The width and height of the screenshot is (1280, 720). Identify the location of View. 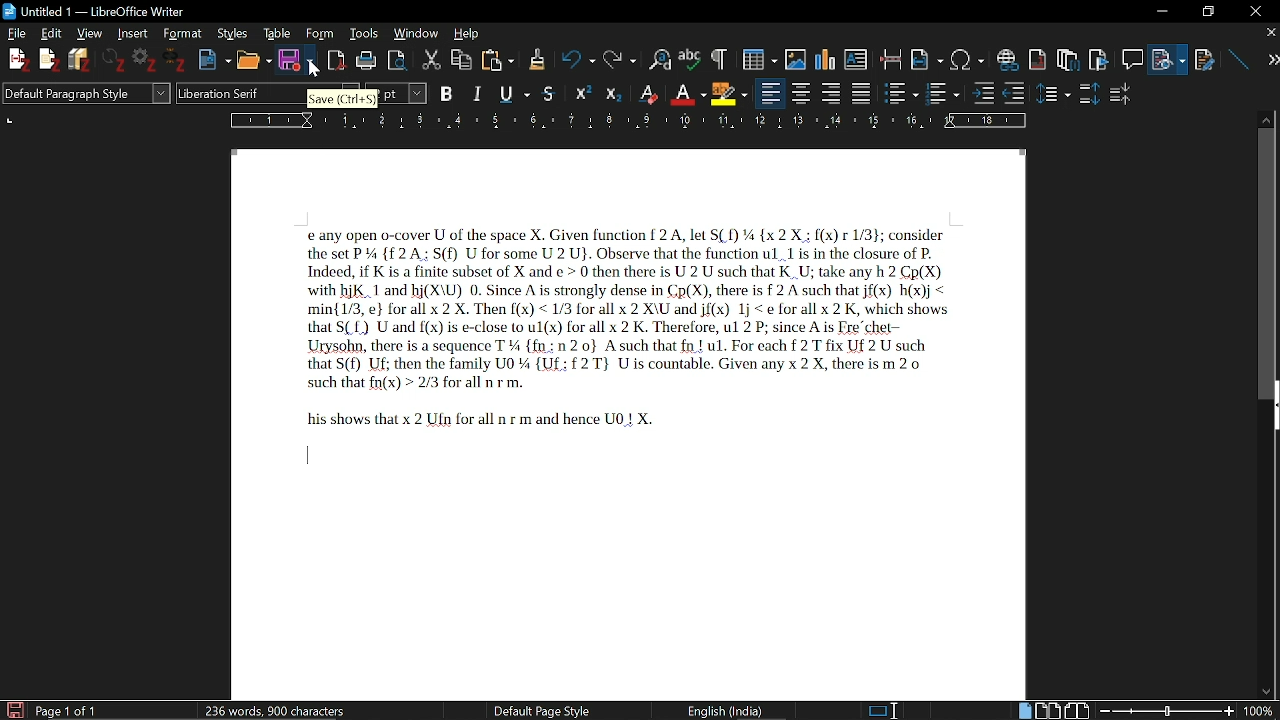
(87, 33).